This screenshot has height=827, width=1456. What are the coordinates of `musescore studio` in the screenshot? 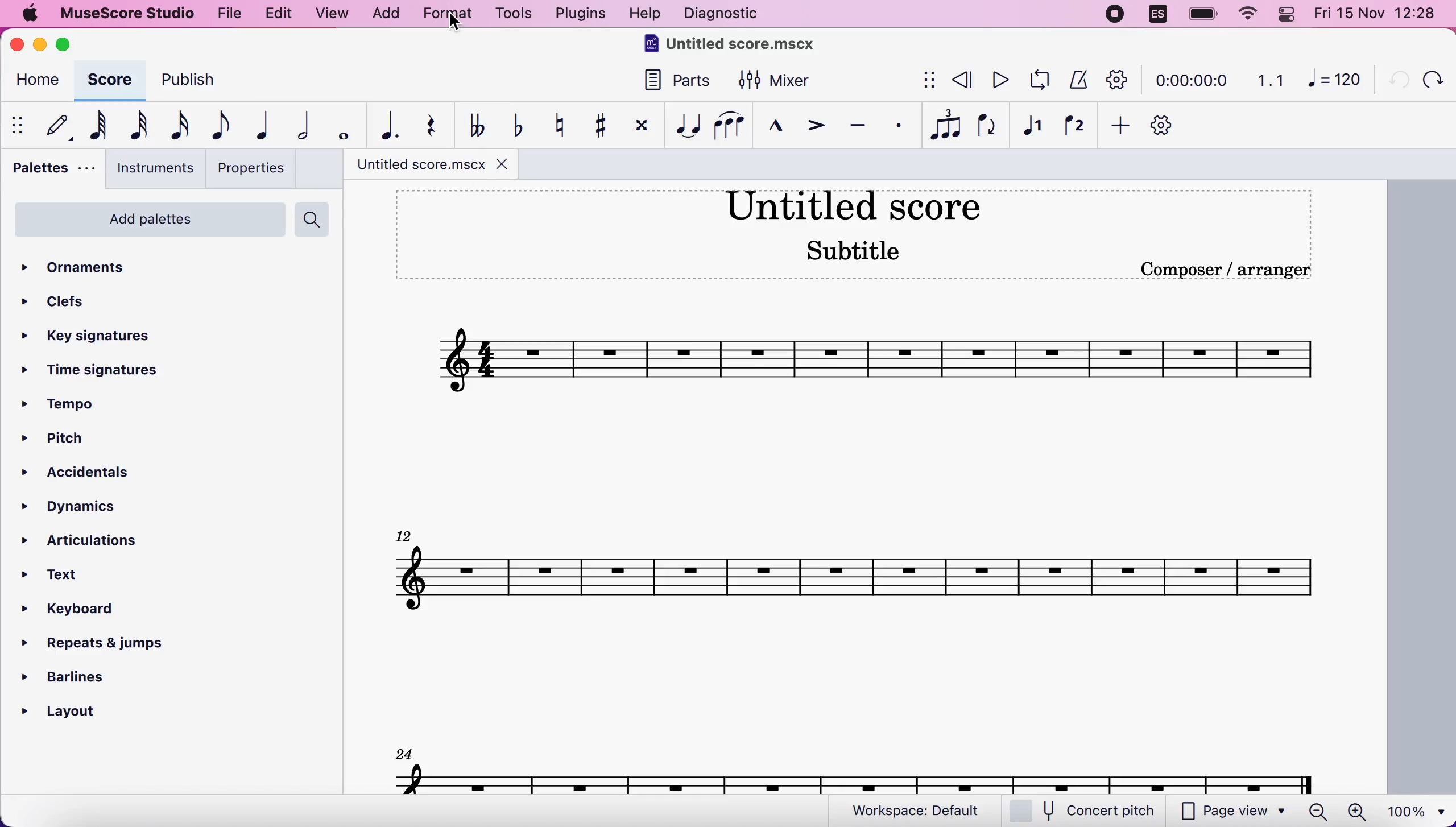 It's located at (125, 14).